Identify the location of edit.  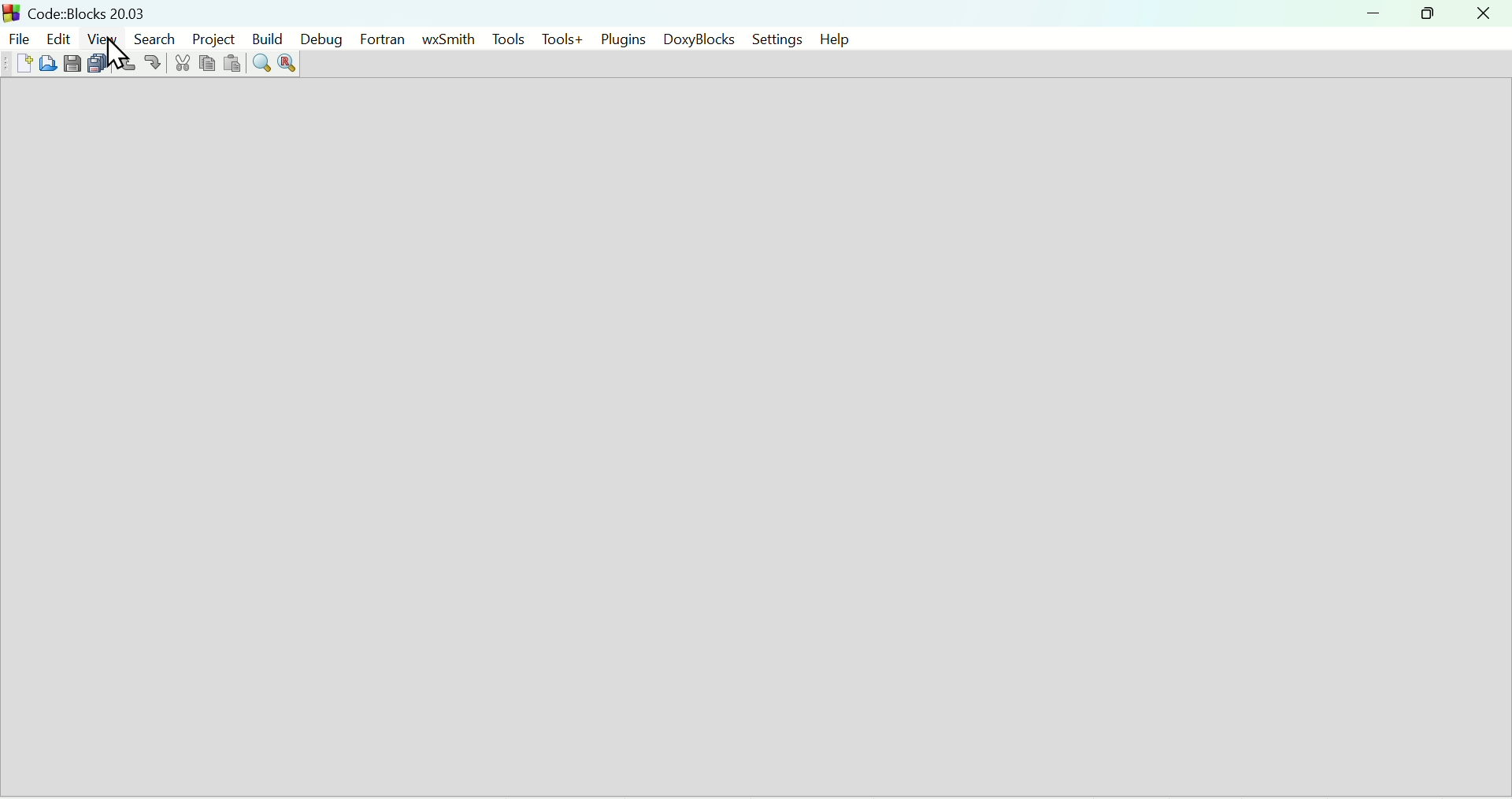
(57, 36).